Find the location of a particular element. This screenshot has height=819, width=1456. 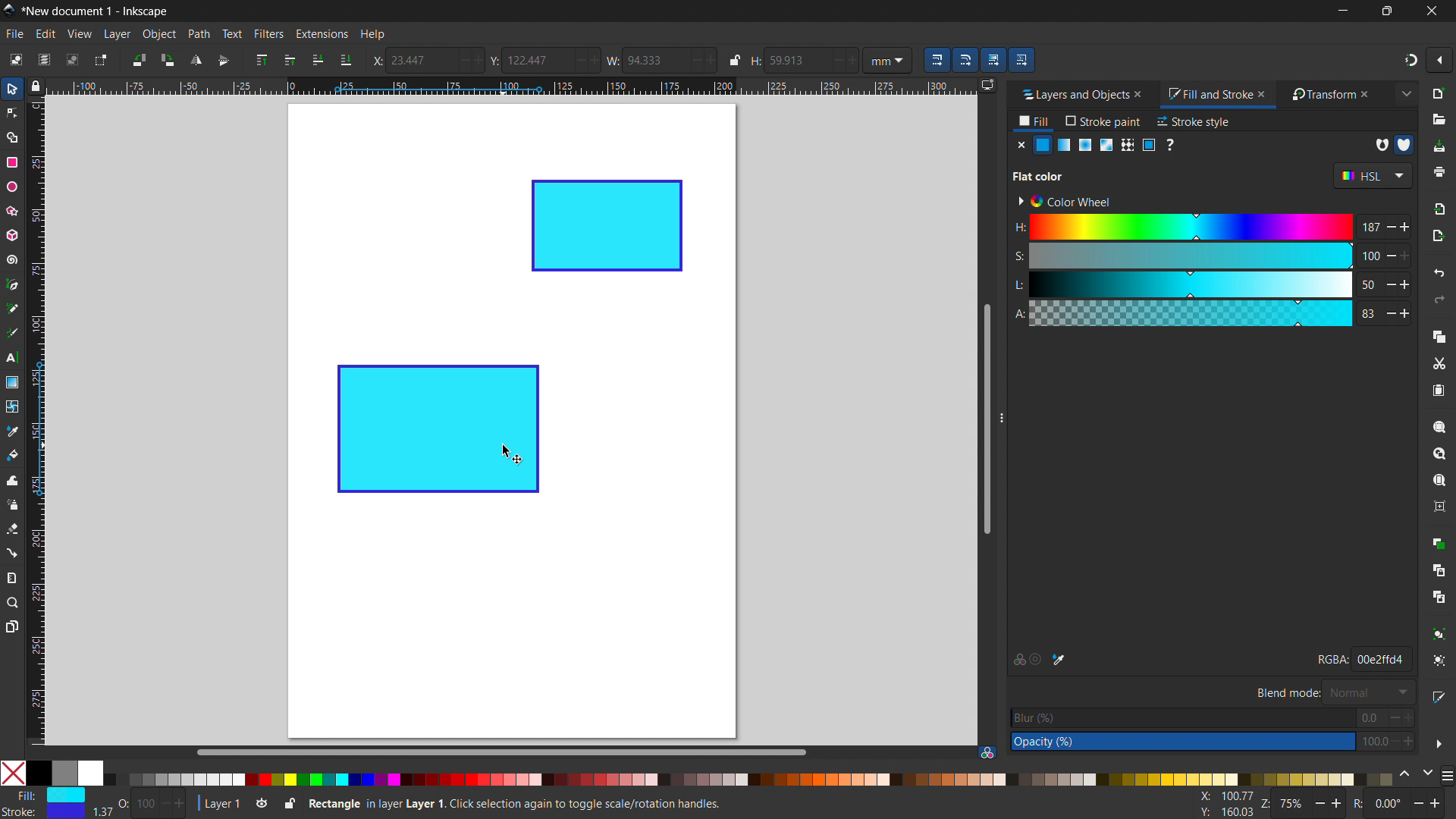

unlink clone is located at coordinates (1439, 597).